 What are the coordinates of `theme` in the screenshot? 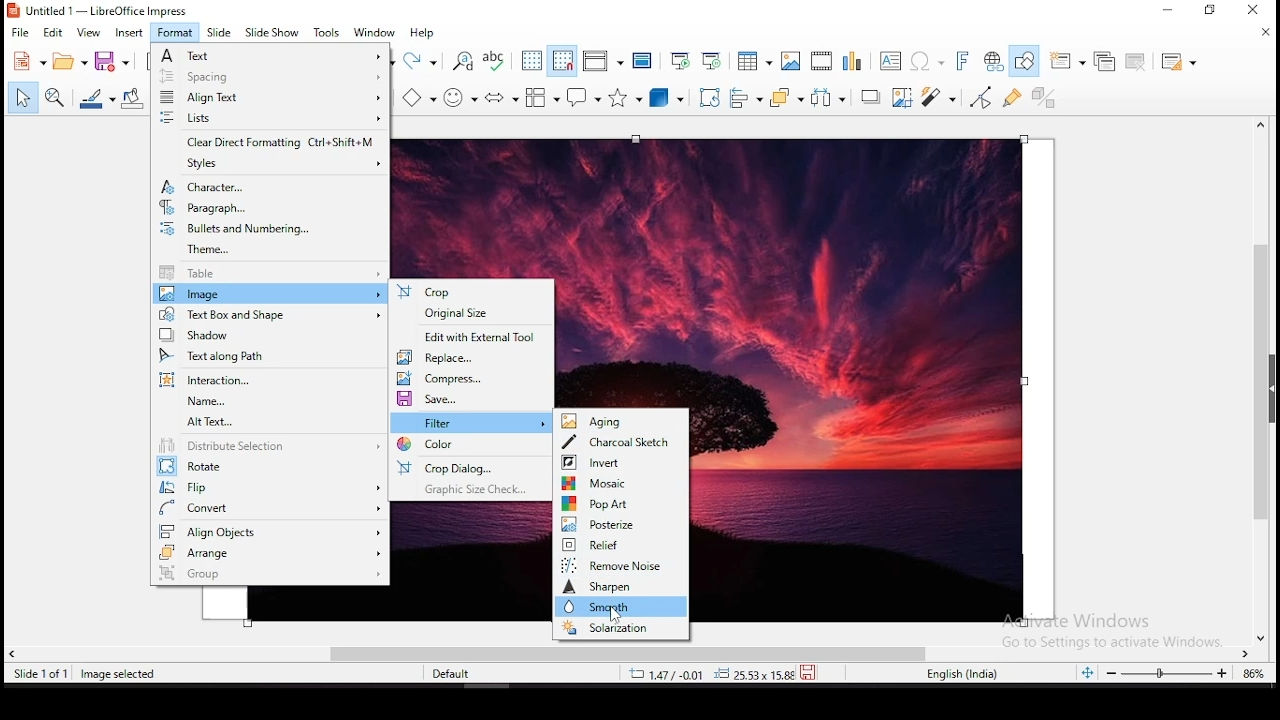 It's located at (272, 251).